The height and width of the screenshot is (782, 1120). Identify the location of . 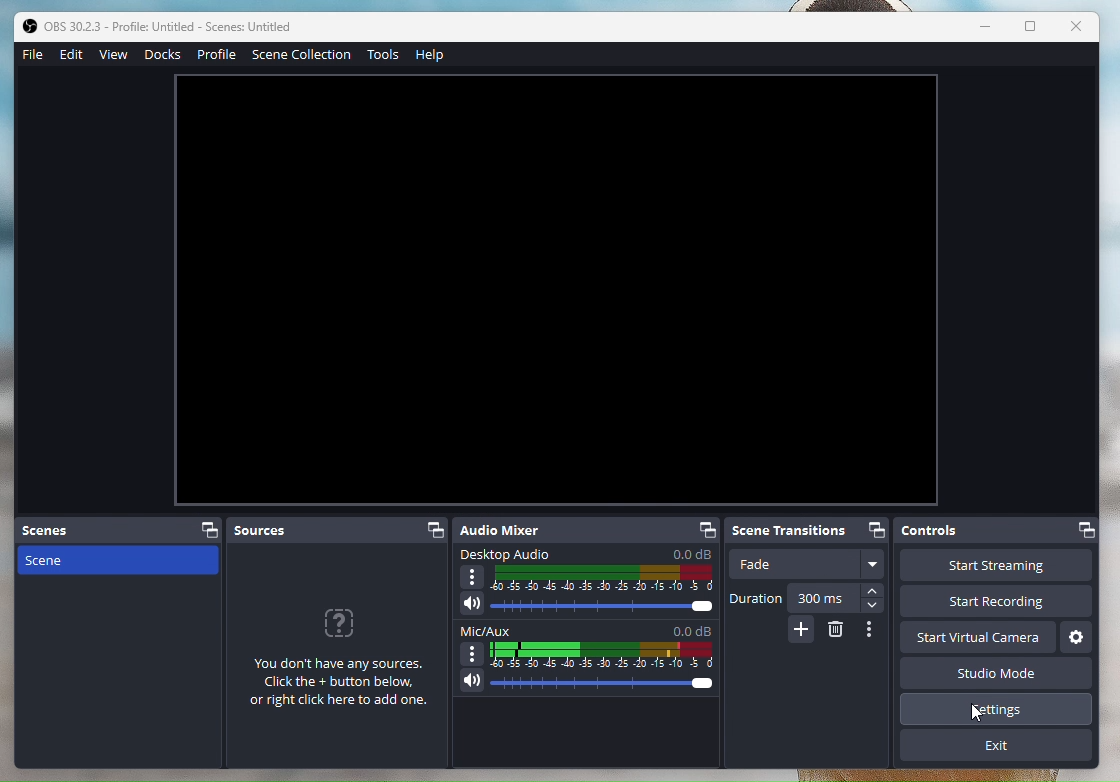
(995, 675).